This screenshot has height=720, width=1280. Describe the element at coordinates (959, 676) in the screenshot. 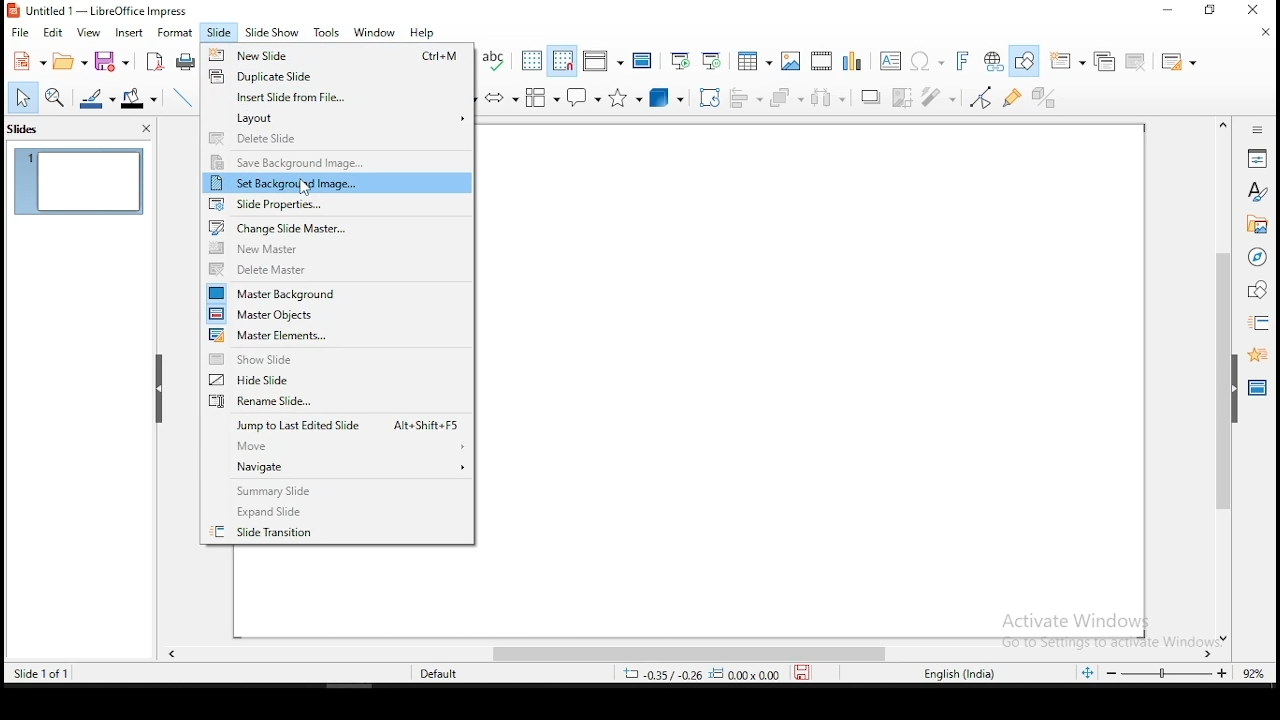

I see `english (india)` at that location.